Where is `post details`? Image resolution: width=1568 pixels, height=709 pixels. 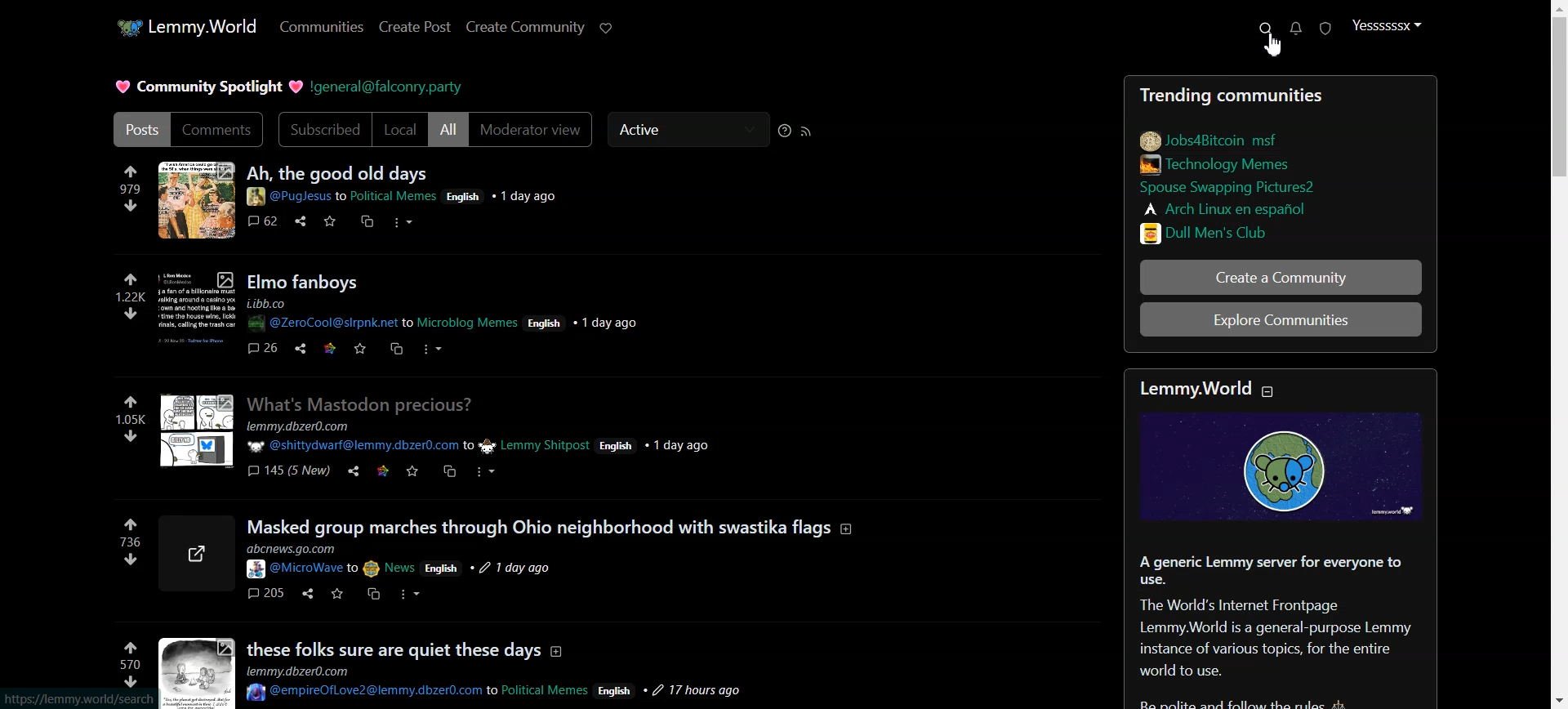 post details is located at coordinates (394, 560).